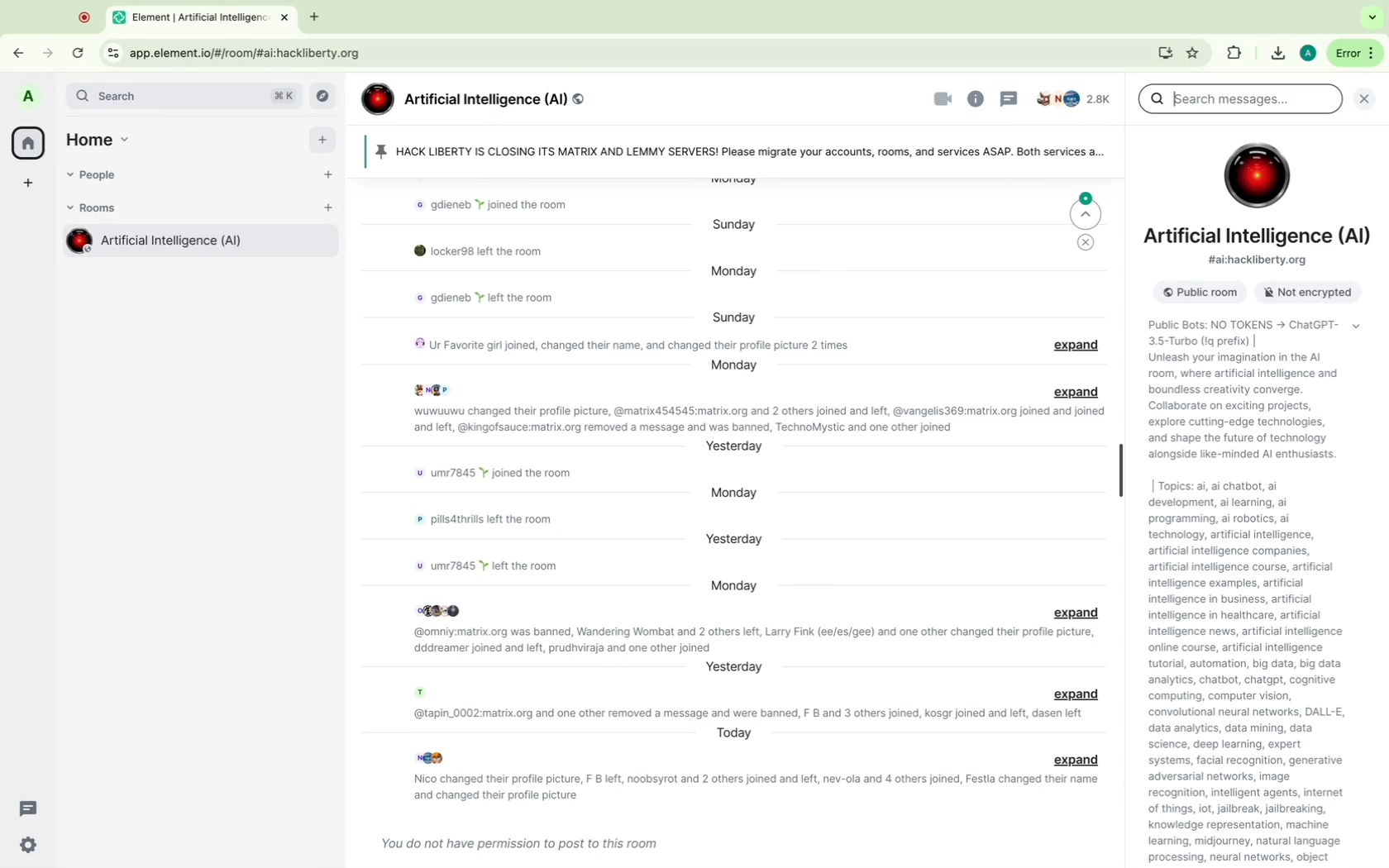 This screenshot has width=1389, height=868. What do you see at coordinates (1247, 393) in the screenshot?
I see `description` at bounding box center [1247, 393].